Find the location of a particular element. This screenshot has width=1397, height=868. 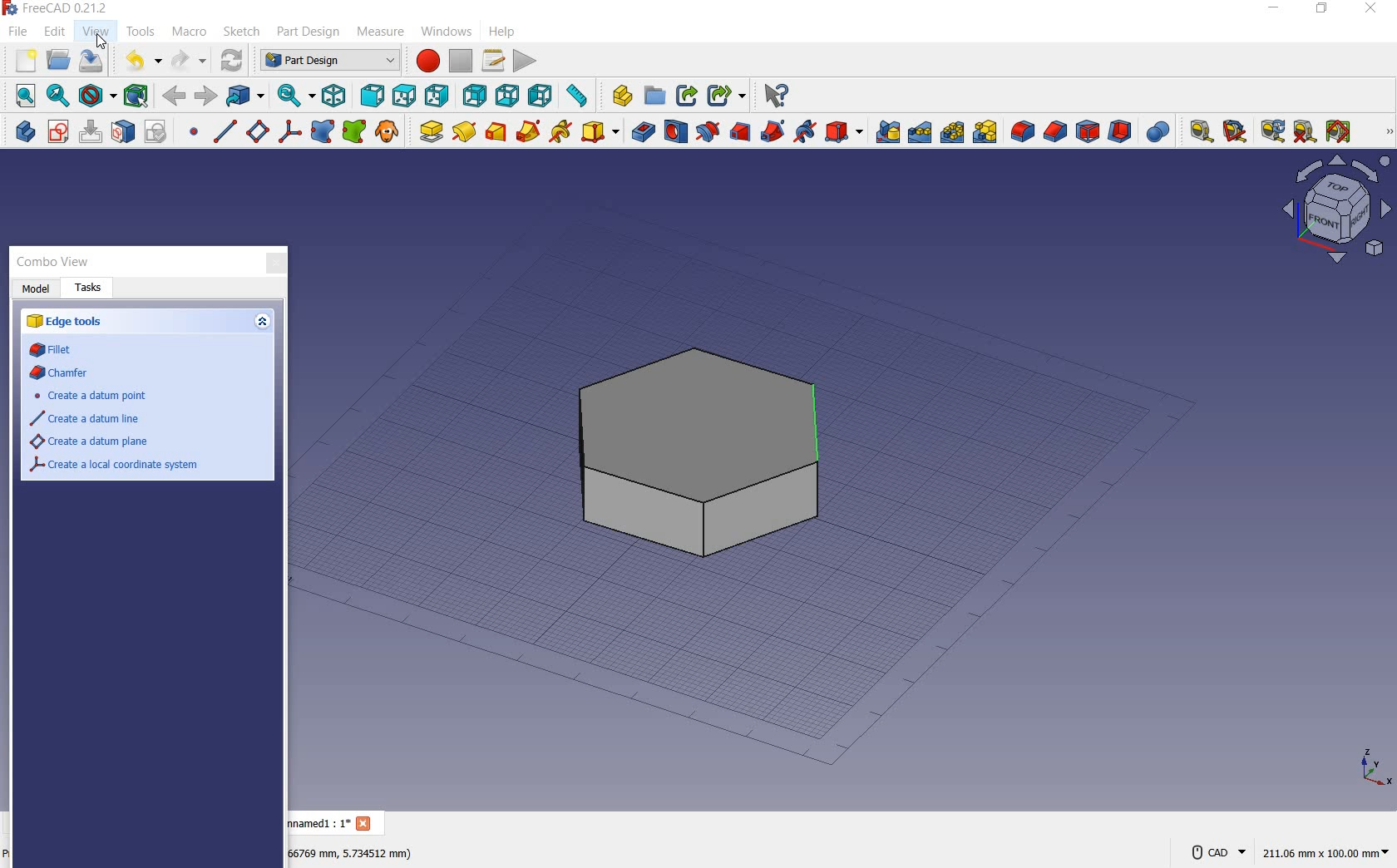

what's this? is located at coordinates (775, 96).